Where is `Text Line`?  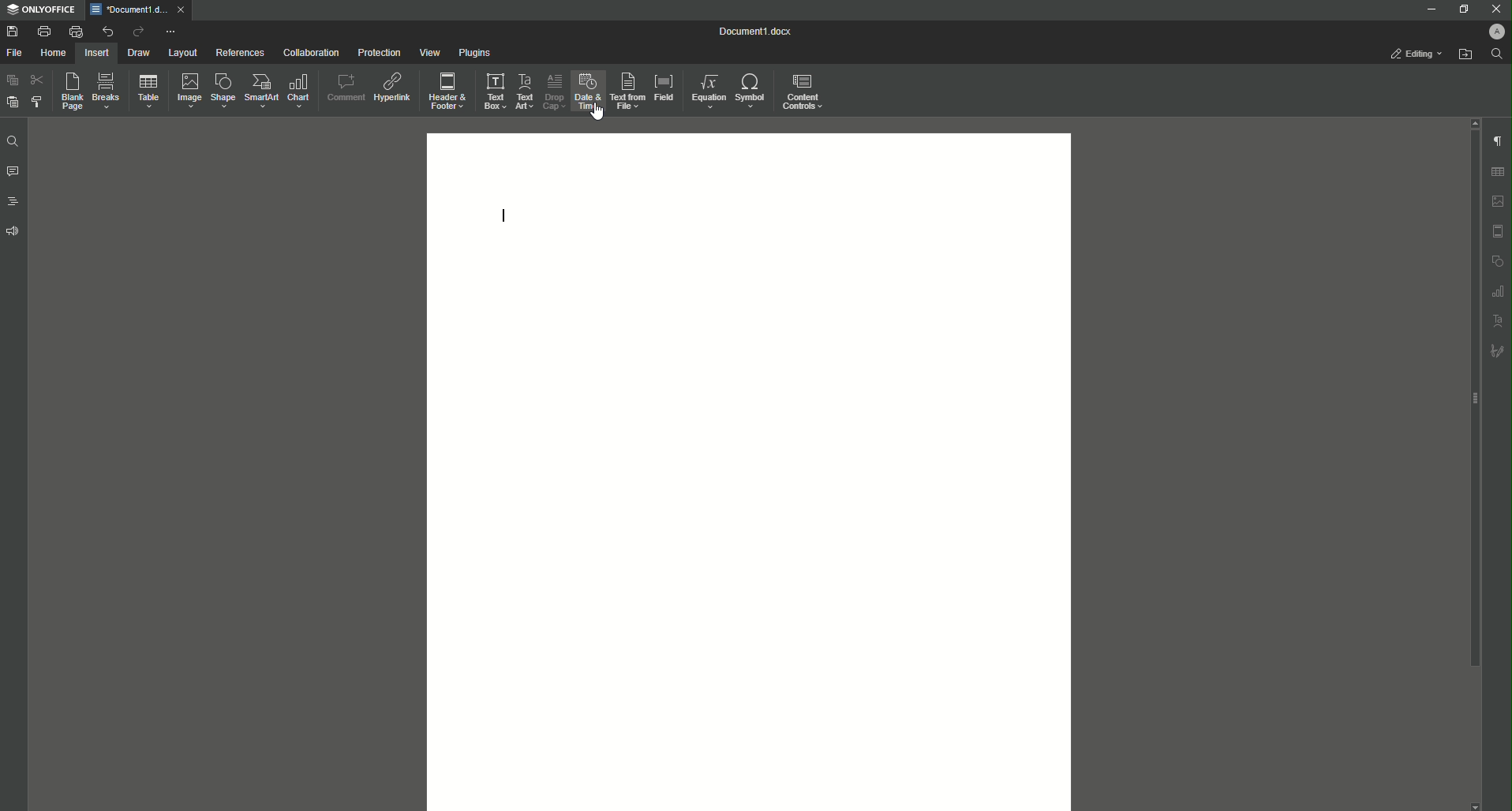 Text Line is located at coordinates (505, 212).